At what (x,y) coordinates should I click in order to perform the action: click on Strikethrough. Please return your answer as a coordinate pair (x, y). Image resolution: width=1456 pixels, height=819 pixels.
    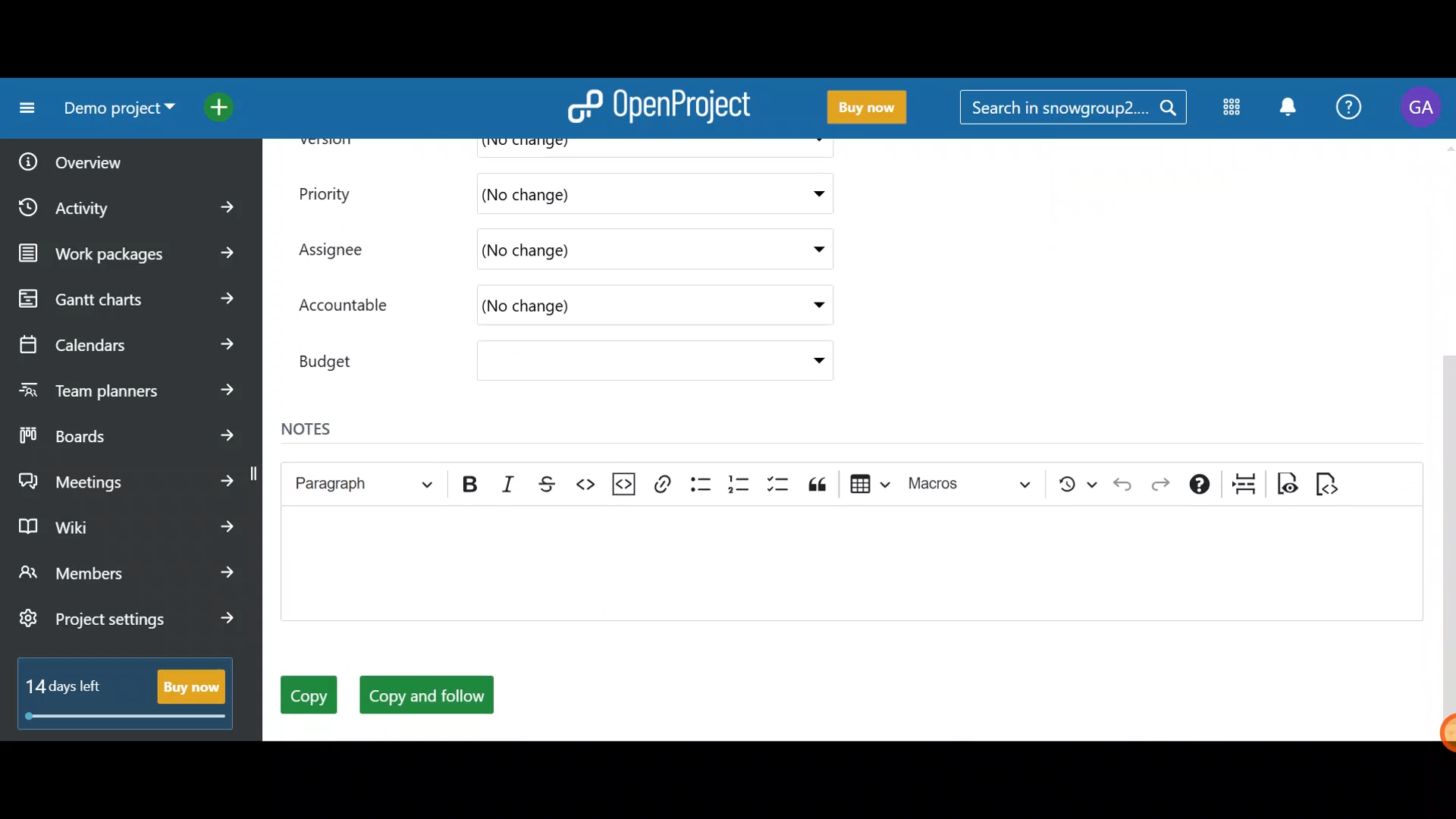
    Looking at the image, I should click on (551, 486).